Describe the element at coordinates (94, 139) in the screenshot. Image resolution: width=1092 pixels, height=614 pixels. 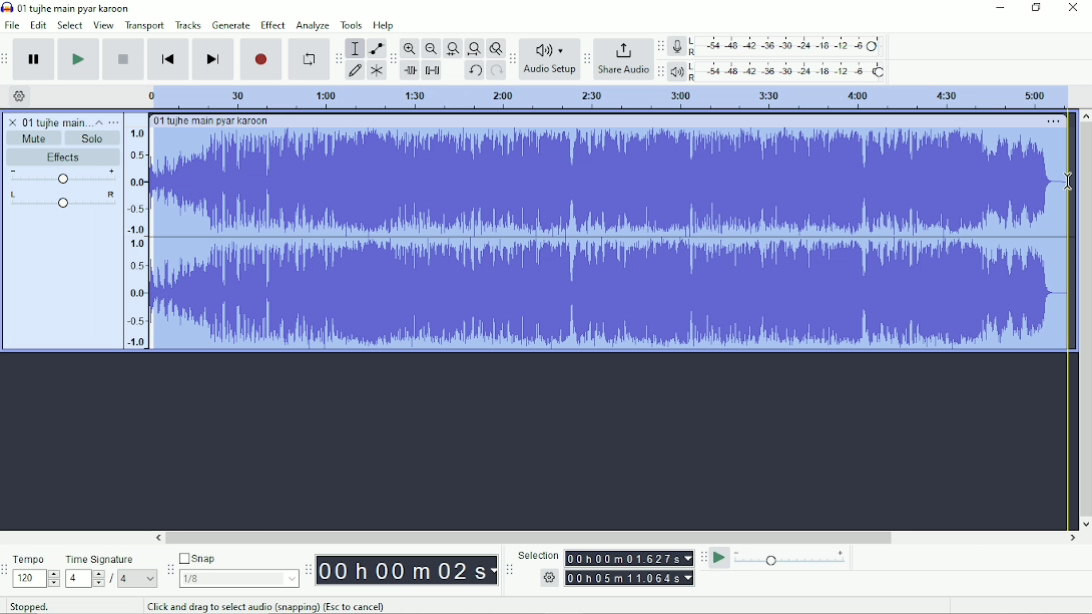
I see `Solo` at that location.